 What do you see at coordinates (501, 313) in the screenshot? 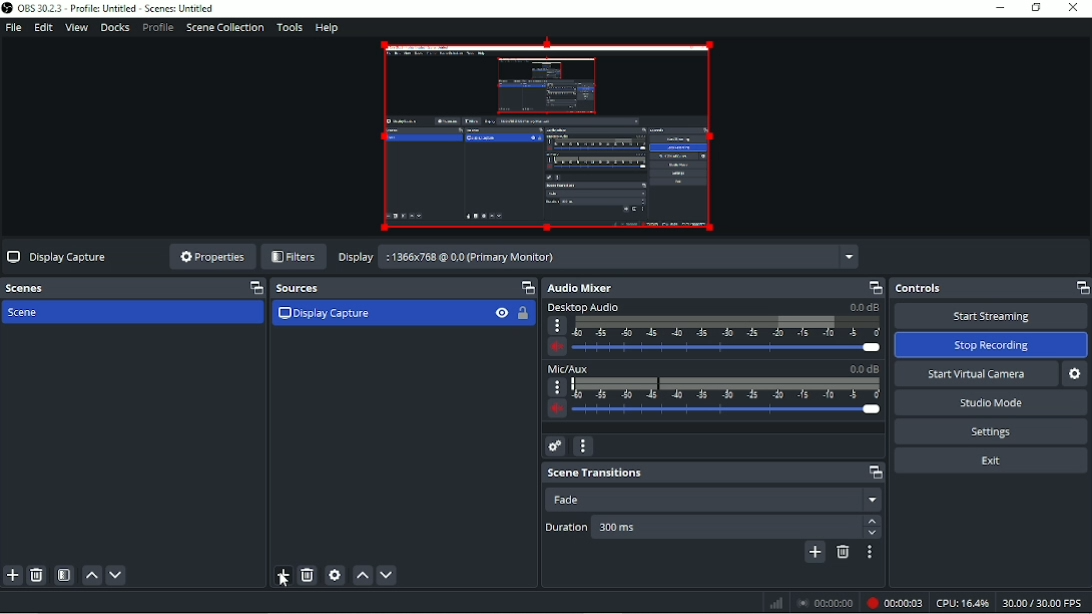
I see `Visibility` at bounding box center [501, 313].